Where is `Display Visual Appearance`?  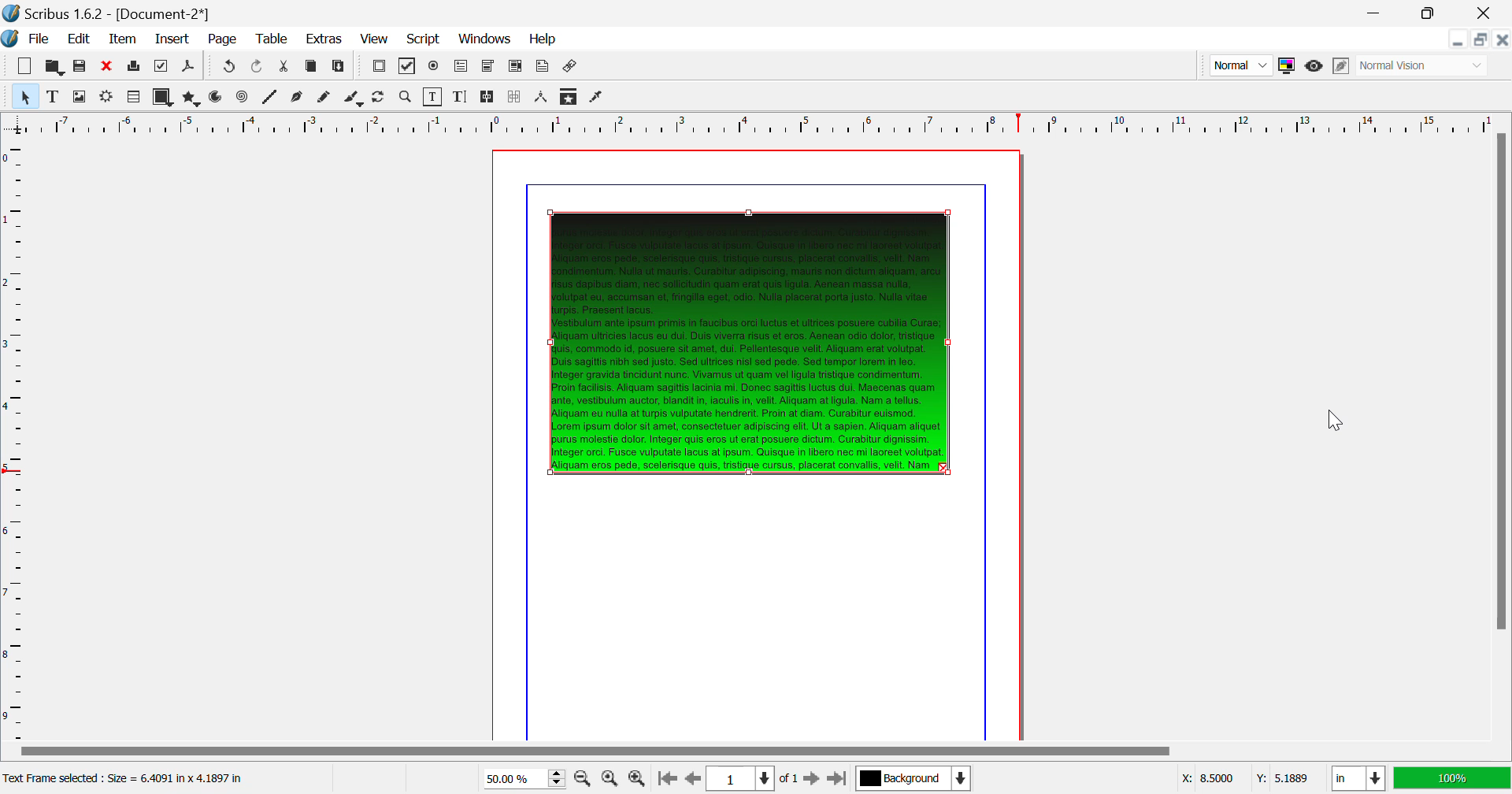 Display Visual Appearance is located at coordinates (1424, 65).